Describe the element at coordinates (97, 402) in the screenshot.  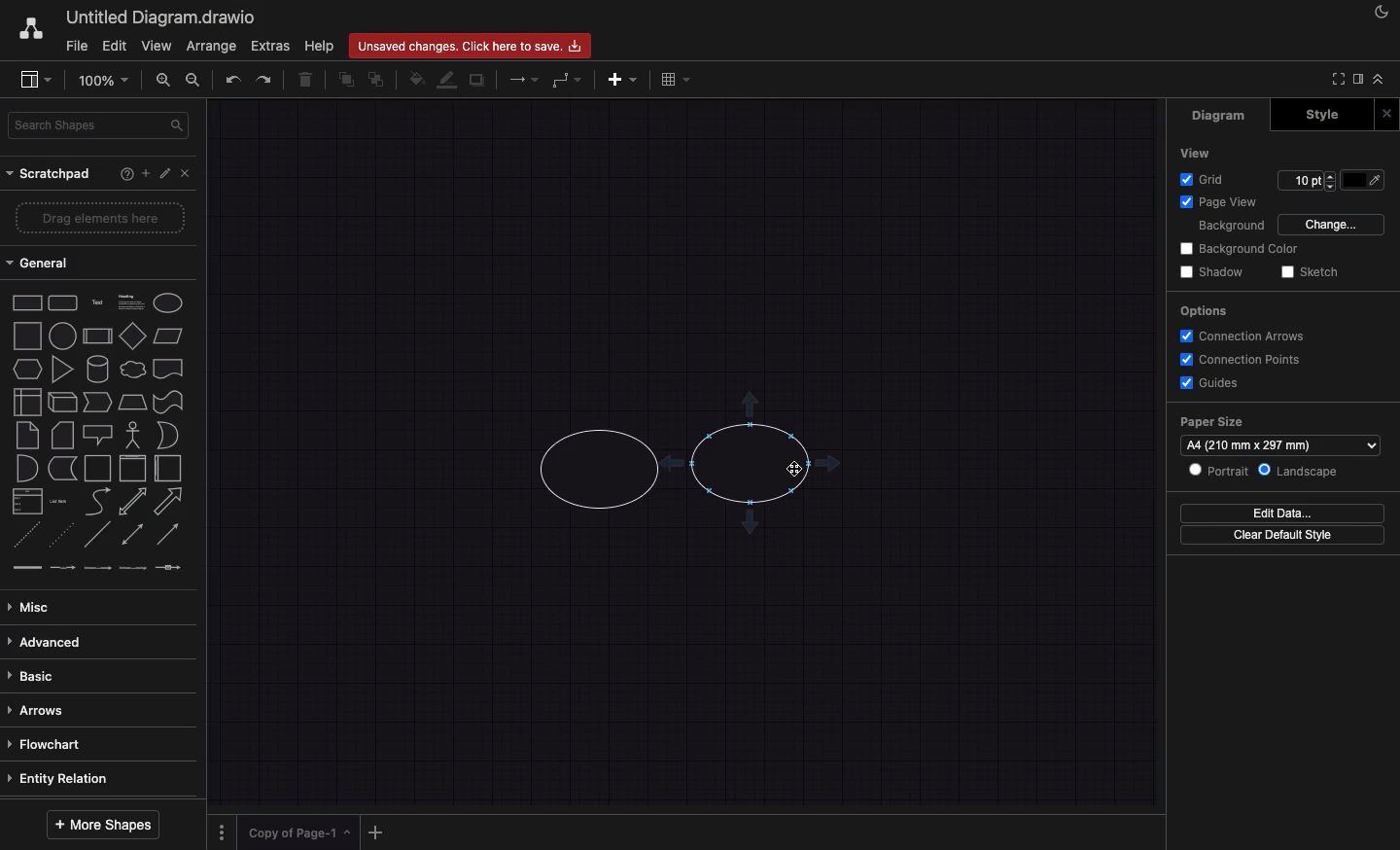
I see `step` at that location.